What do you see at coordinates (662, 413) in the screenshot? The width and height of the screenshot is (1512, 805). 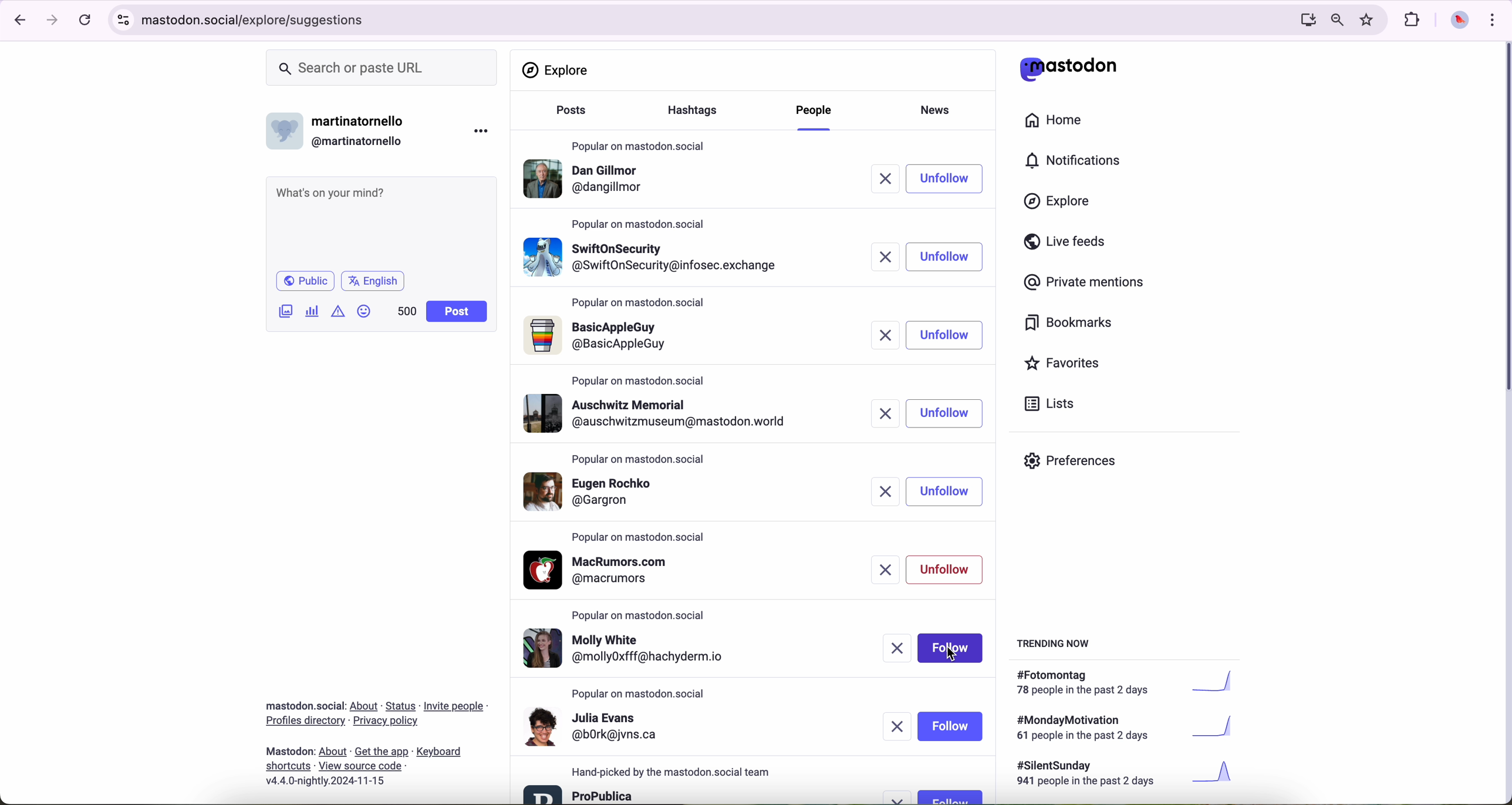 I see `profile` at bounding box center [662, 413].